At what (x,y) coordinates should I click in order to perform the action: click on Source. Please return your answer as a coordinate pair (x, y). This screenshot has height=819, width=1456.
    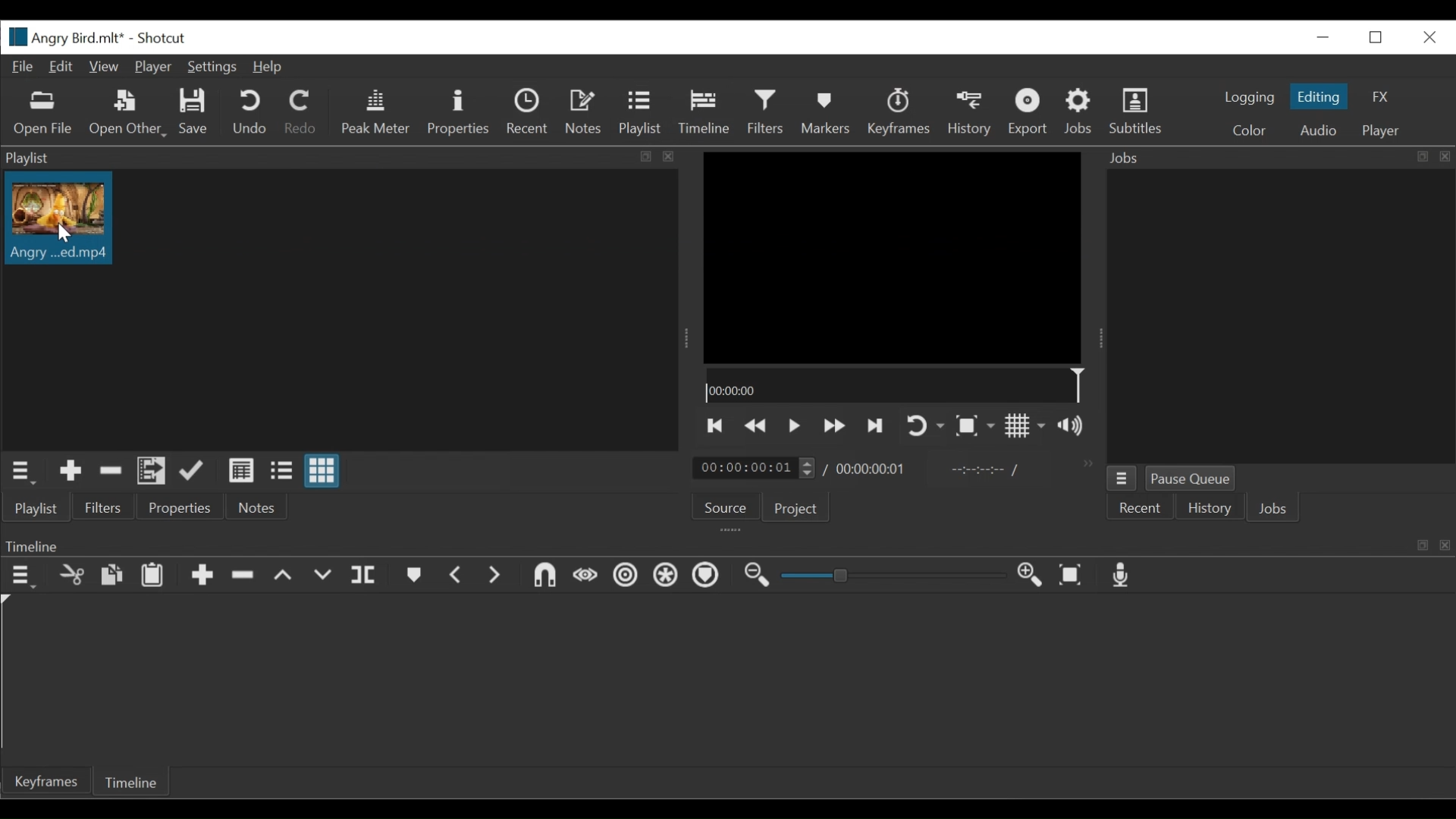
    Looking at the image, I should click on (722, 504).